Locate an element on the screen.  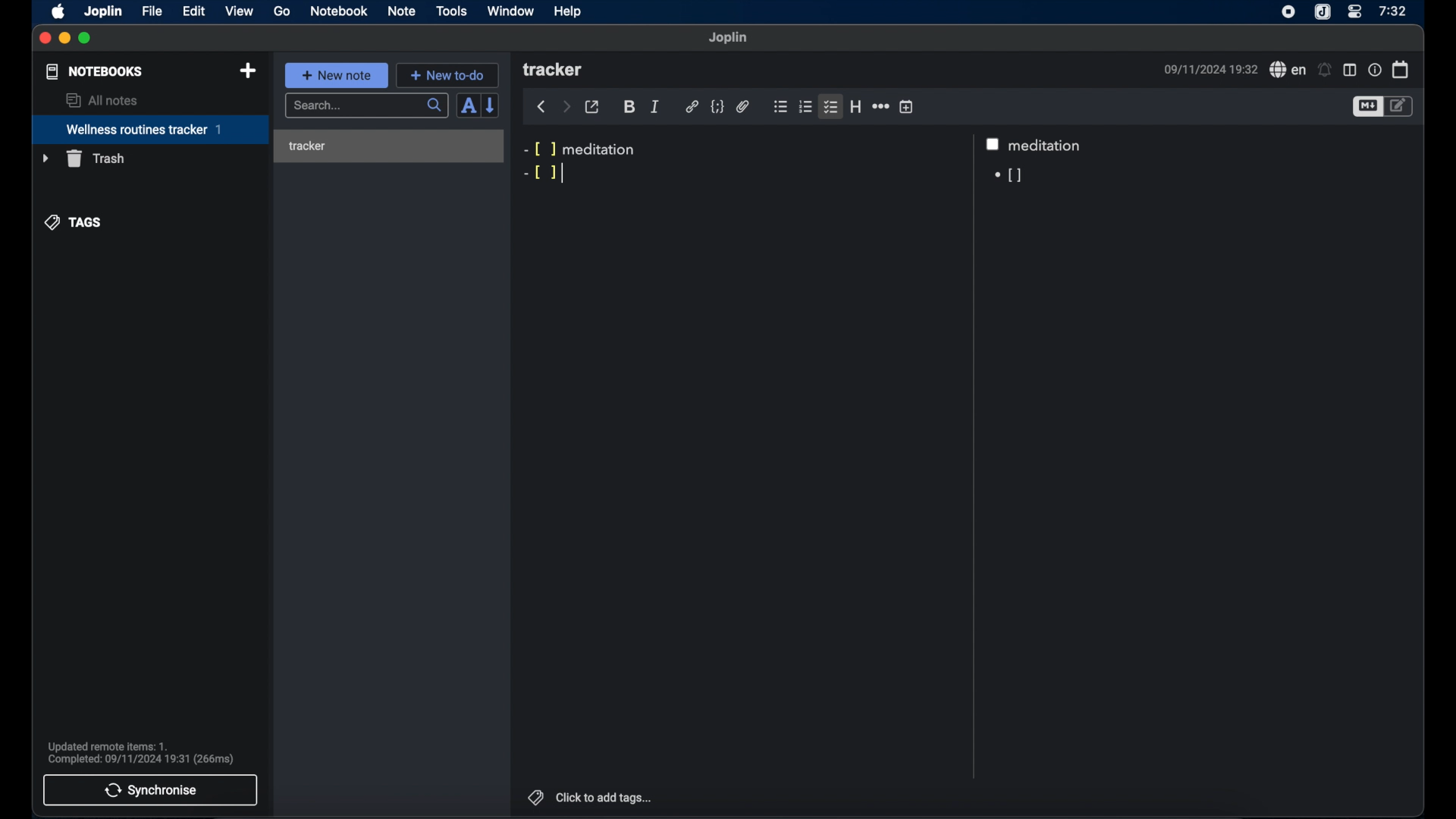
heading is located at coordinates (855, 106).